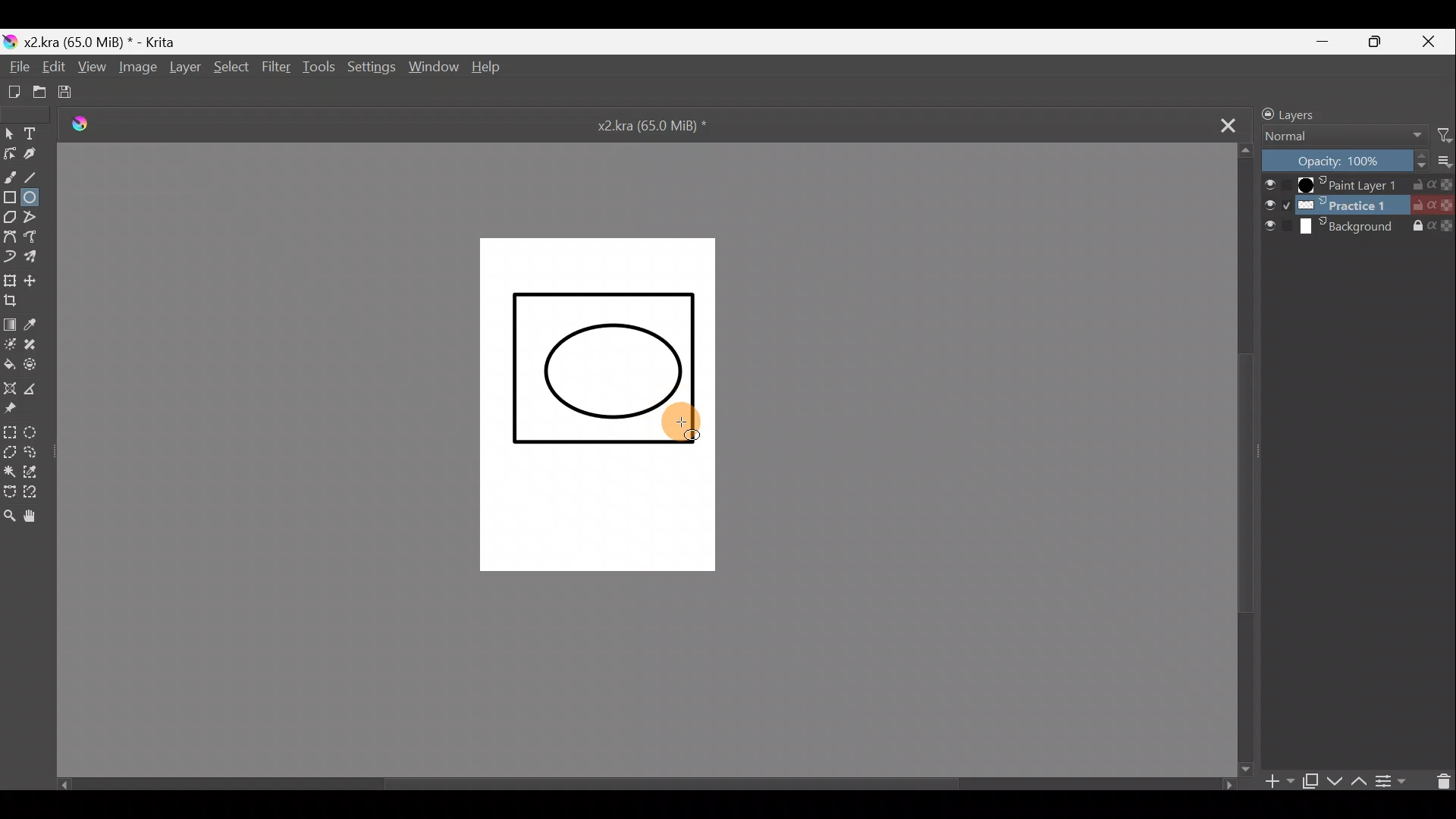 The image size is (1456, 819). Describe the element at coordinates (1247, 459) in the screenshot. I see `Scroll bar` at that location.